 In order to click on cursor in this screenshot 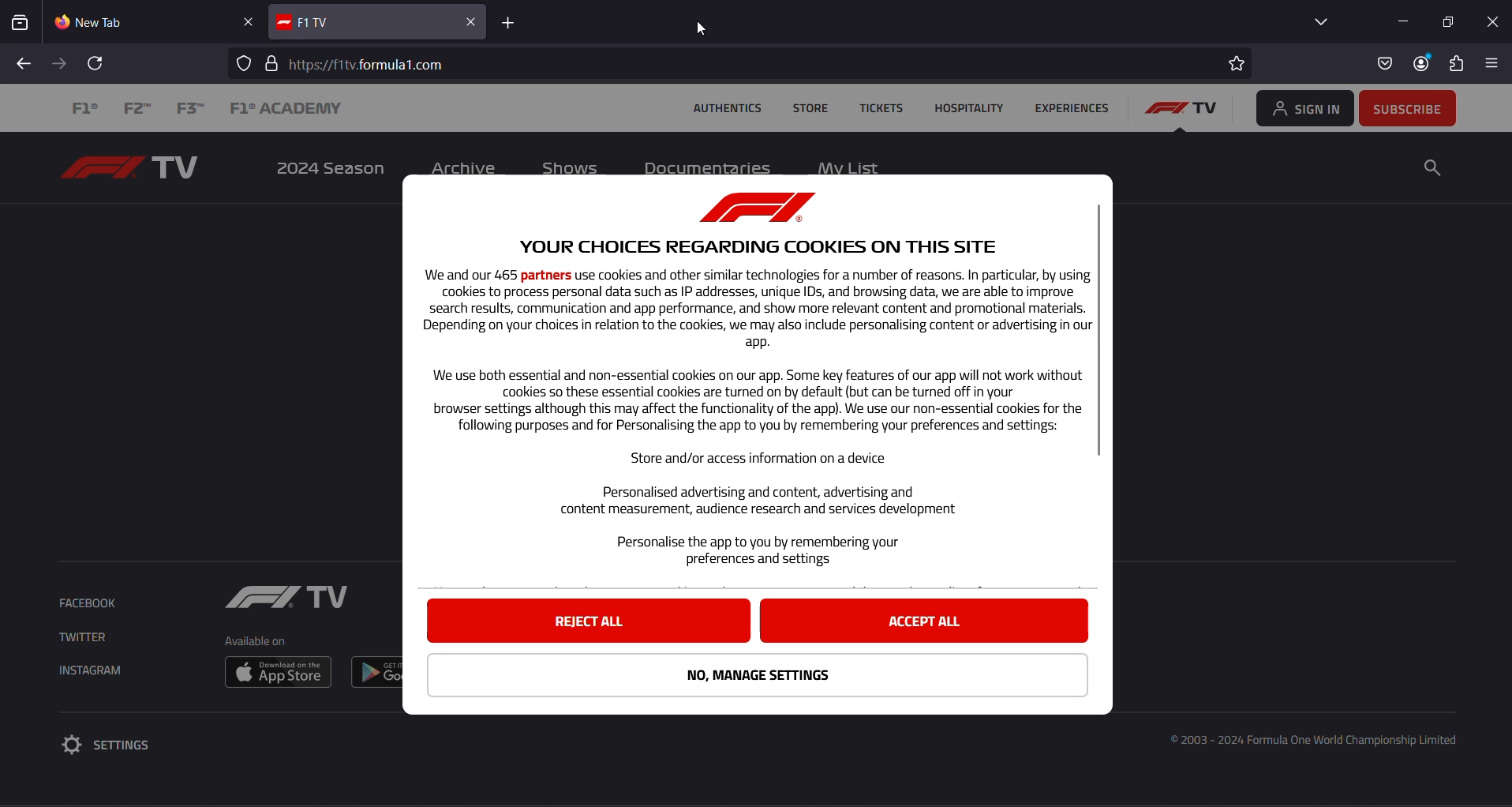, I will do `click(703, 28)`.